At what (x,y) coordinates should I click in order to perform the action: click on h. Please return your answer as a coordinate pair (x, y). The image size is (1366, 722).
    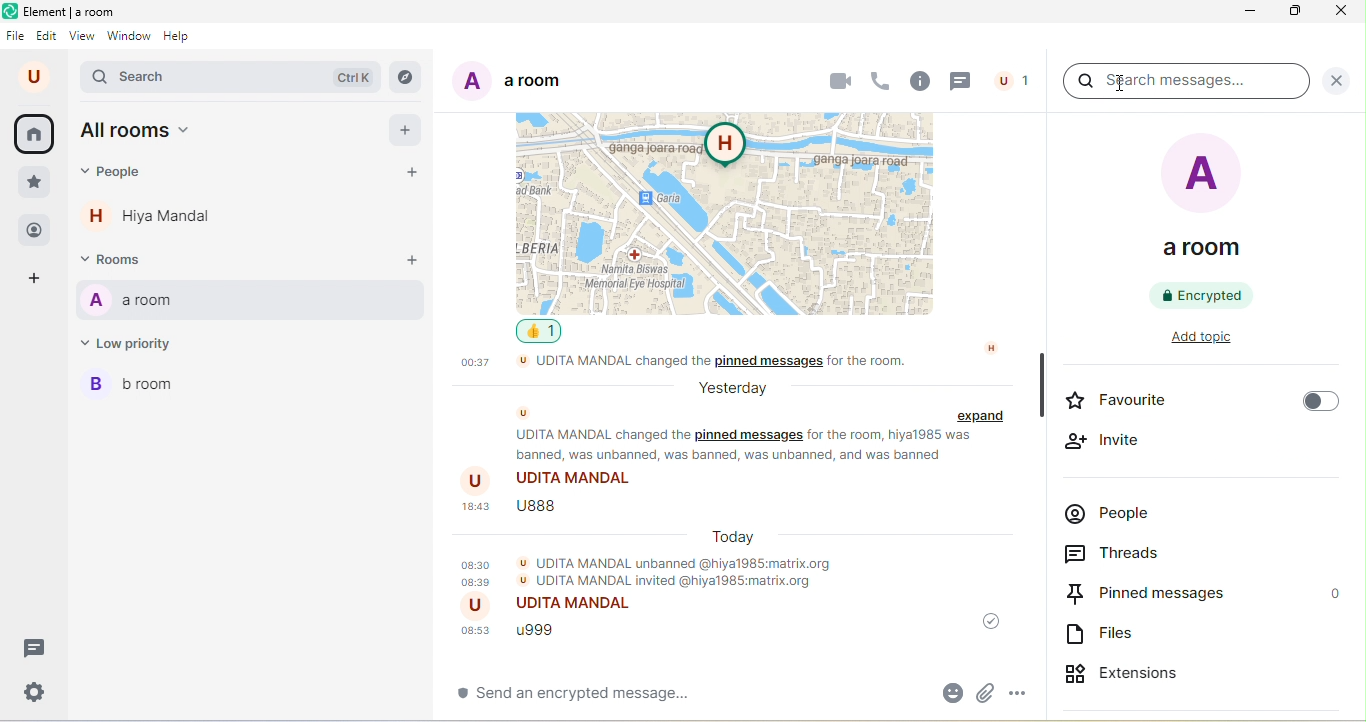
    Looking at the image, I should click on (992, 347).